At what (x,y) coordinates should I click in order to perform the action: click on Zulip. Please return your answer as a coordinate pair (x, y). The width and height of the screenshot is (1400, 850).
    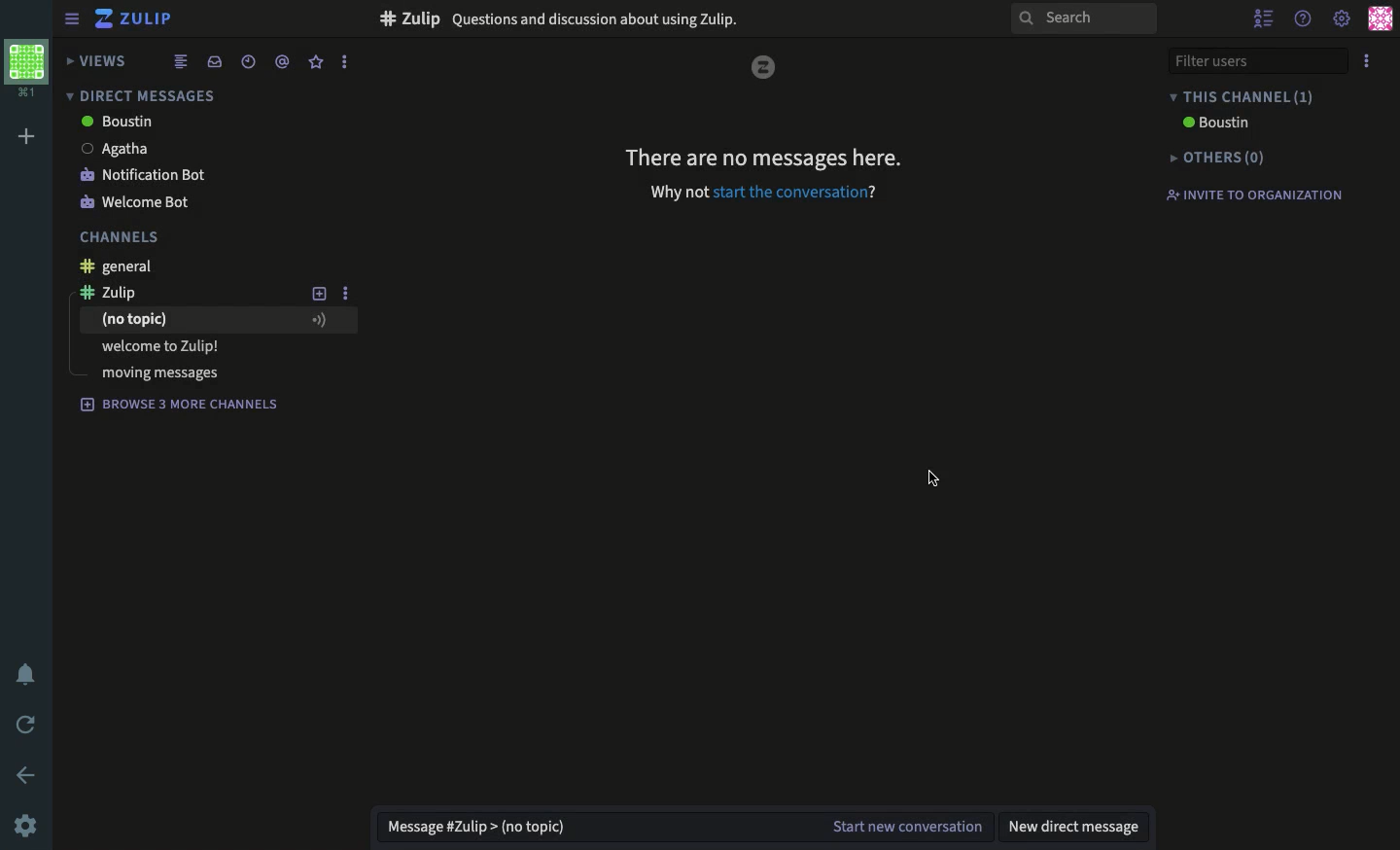
    Looking at the image, I should click on (148, 19).